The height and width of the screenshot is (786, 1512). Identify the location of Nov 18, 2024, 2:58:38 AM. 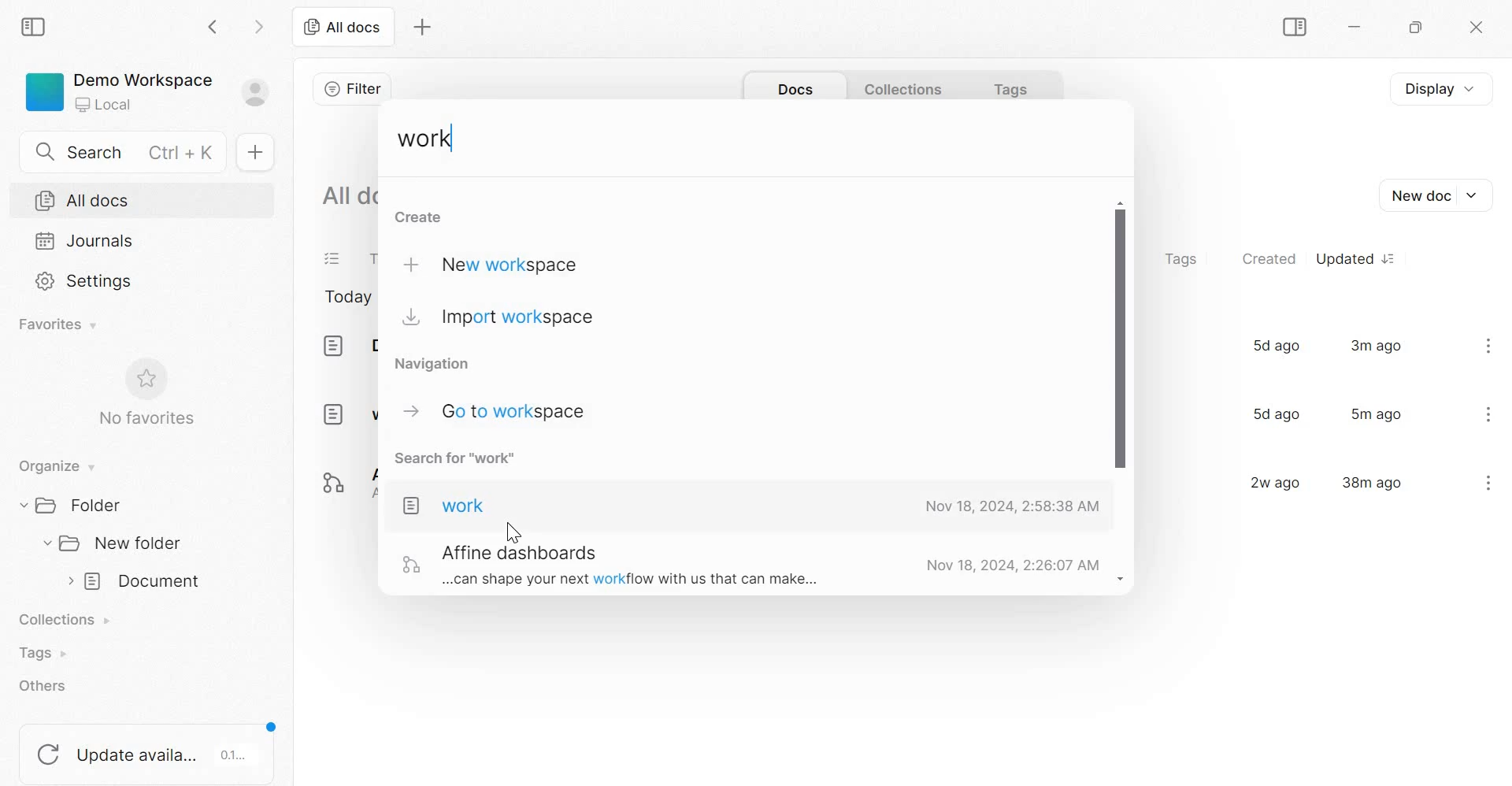
(1010, 508).